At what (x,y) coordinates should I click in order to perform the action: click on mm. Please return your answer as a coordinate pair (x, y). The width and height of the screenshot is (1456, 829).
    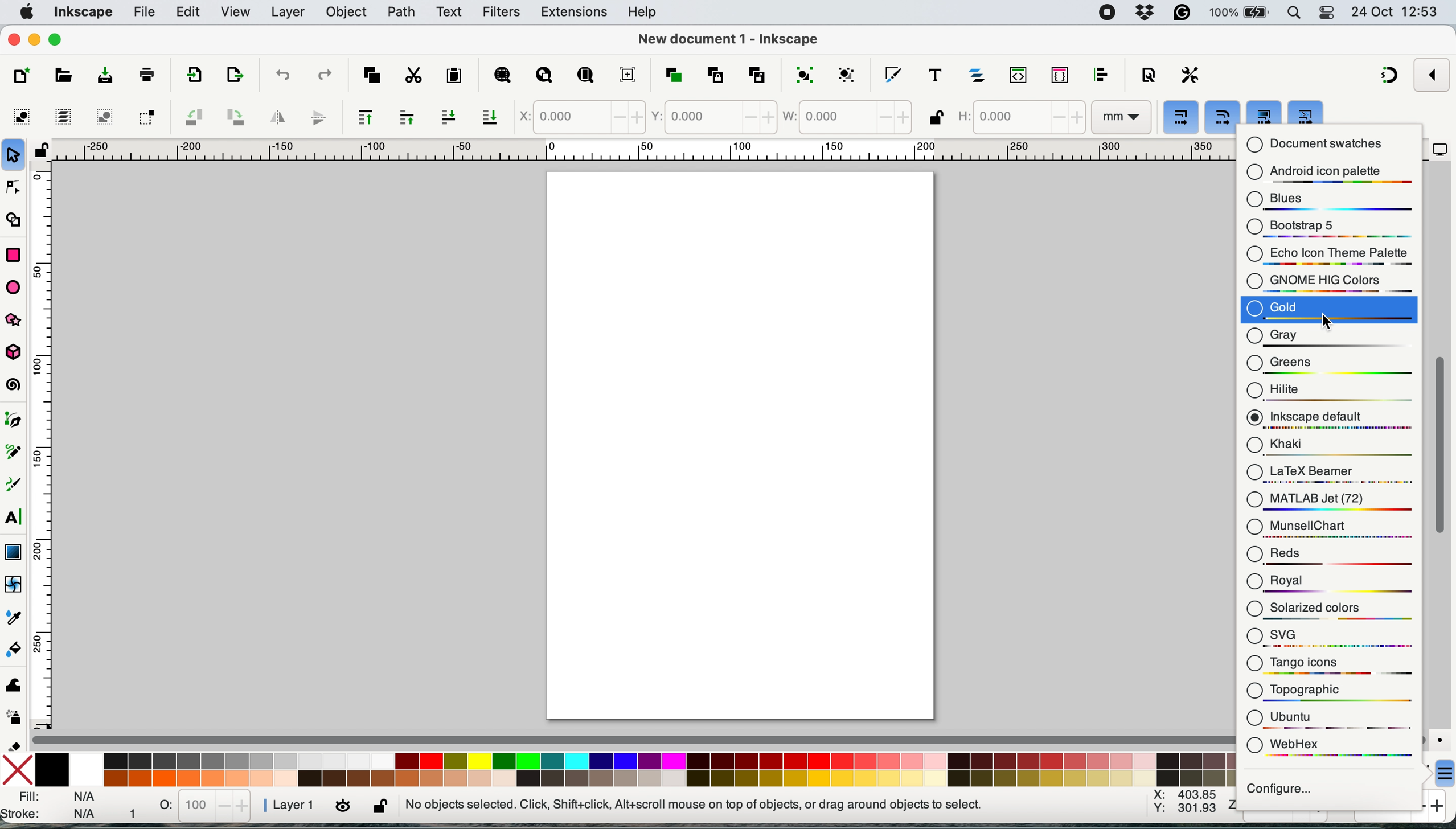
    Looking at the image, I should click on (1121, 117).